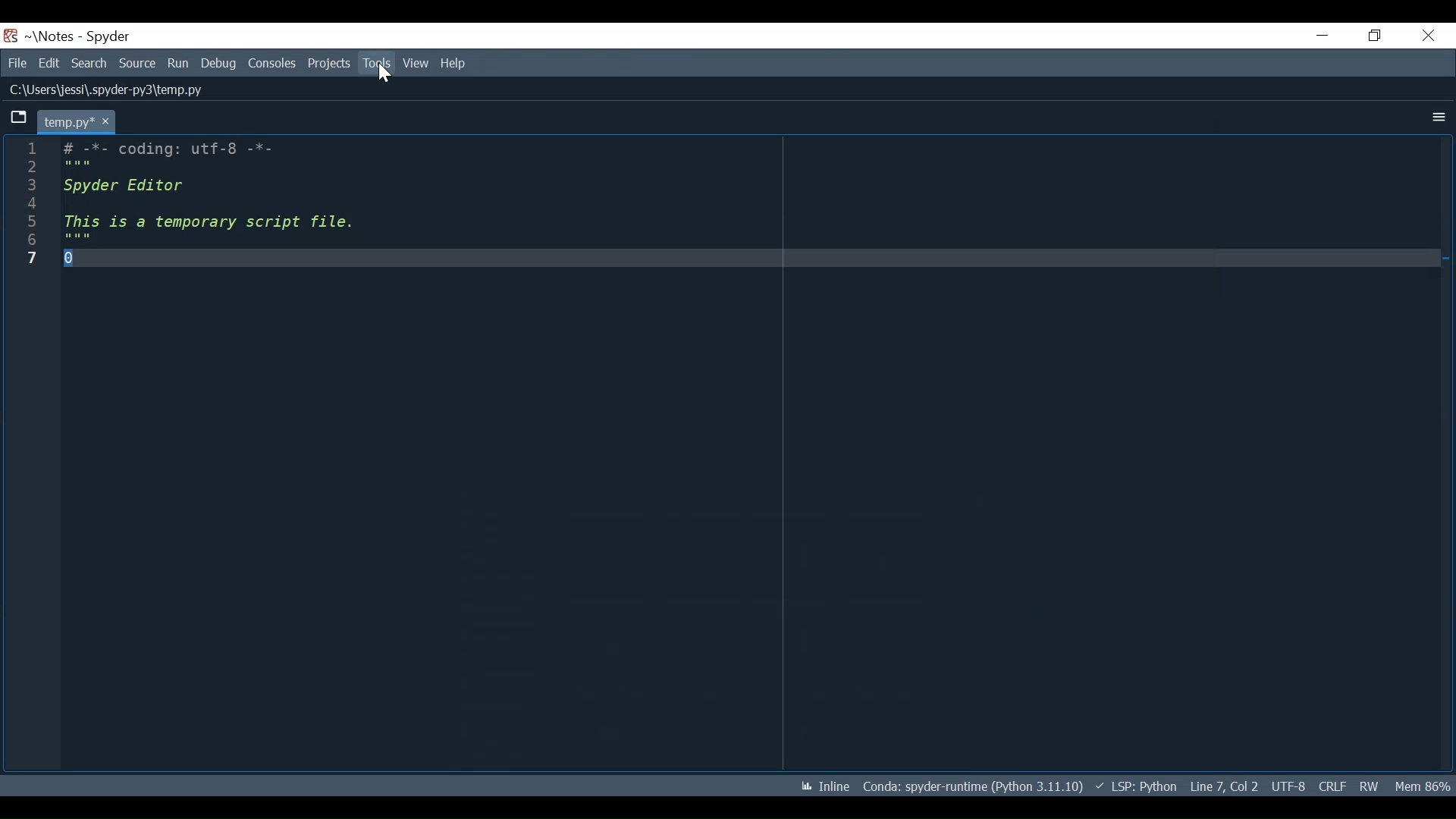  Describe the element at coordinates (1425, 784) in the screenshot. I see `Memory Usage` at that location.